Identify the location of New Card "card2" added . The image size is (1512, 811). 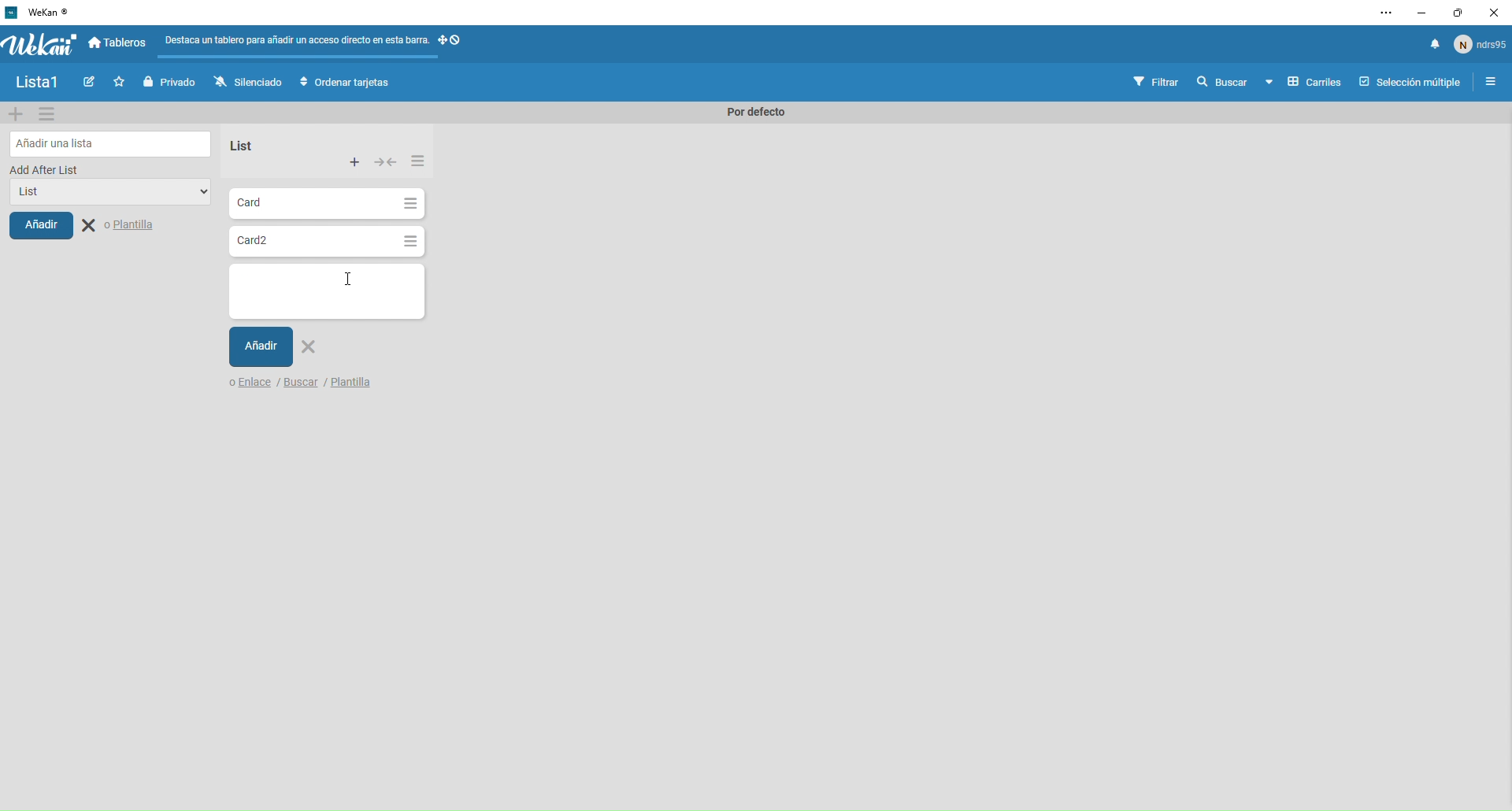
(310, 242).